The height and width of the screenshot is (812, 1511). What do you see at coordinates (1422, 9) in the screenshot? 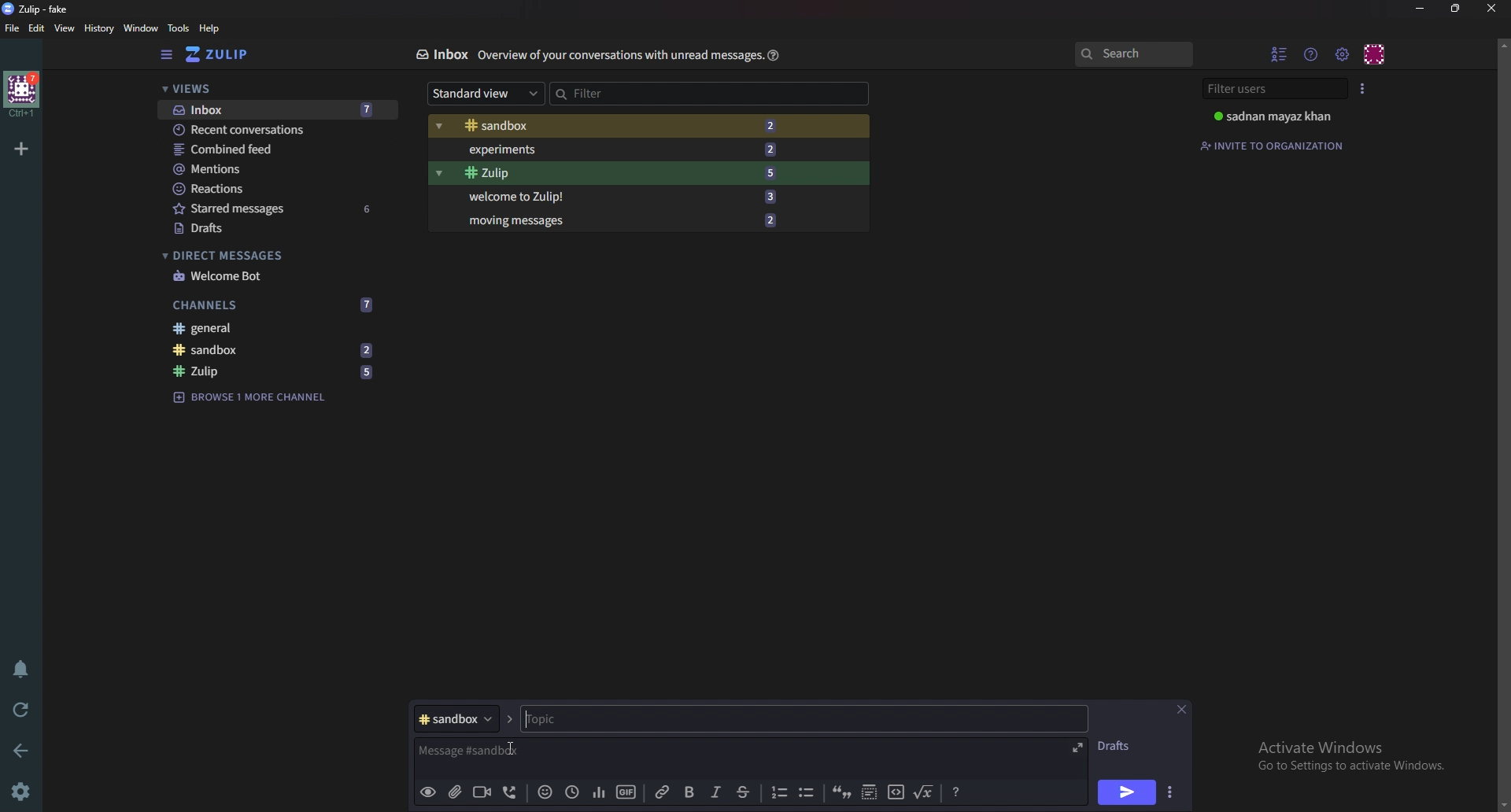
I see `Minimize` at bounding box center [1422, 9].